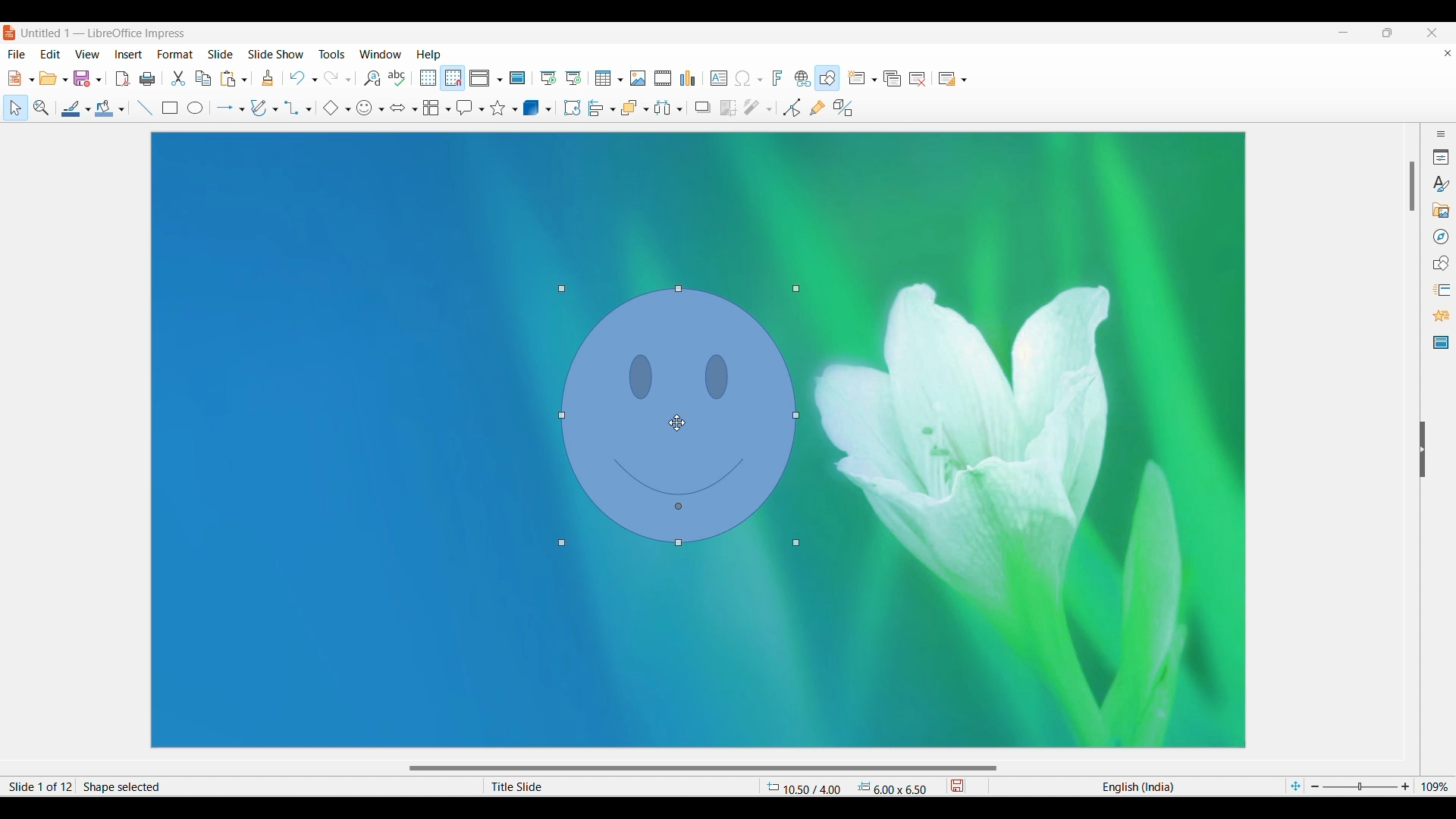  What do you see at coordinates (956, 786) in the screenshot?
I see `Save modifications to document` at bounding box center [956, 786].